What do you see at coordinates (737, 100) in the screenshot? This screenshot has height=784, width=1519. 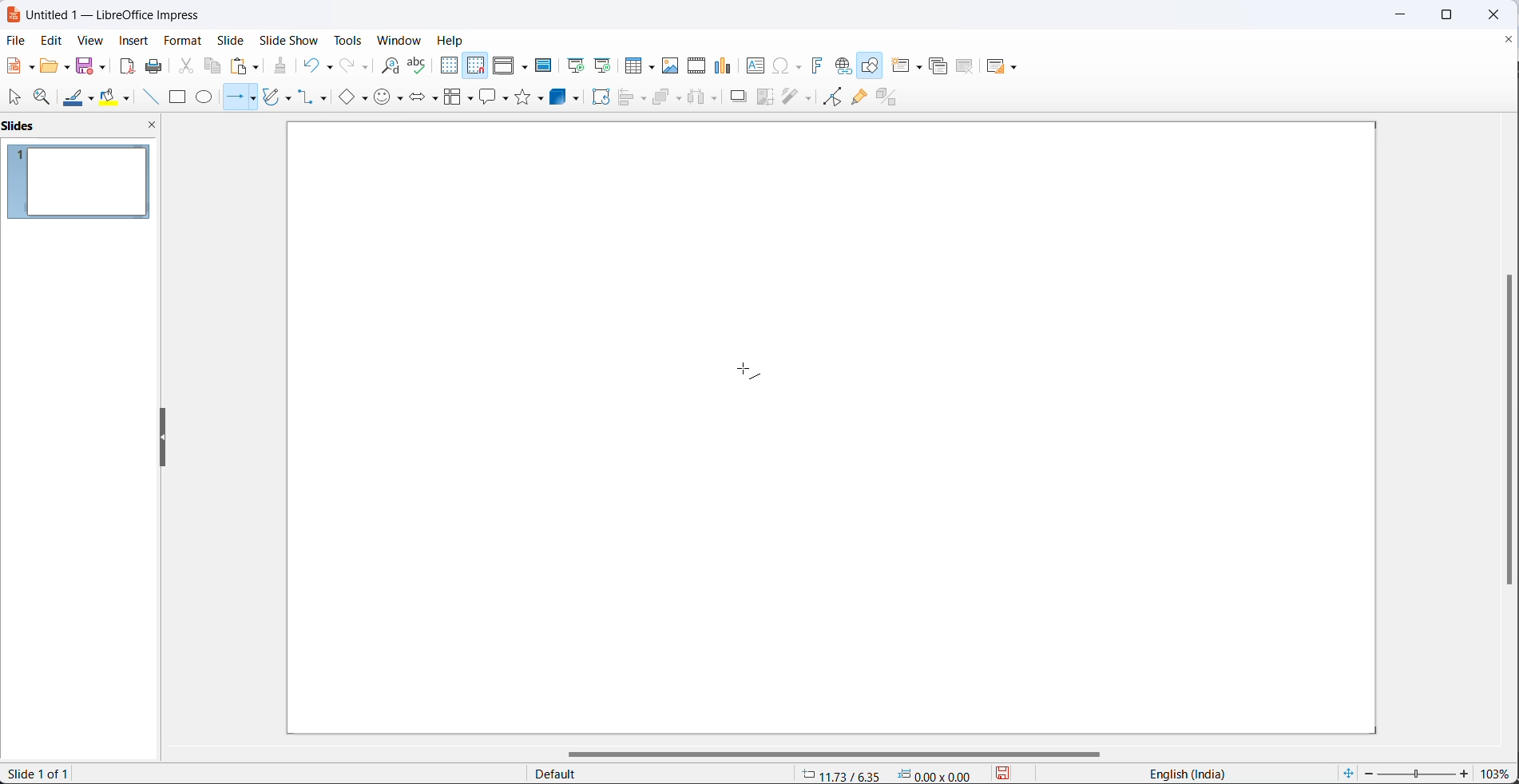 I see `shadow` at bounding box center [737, 100].